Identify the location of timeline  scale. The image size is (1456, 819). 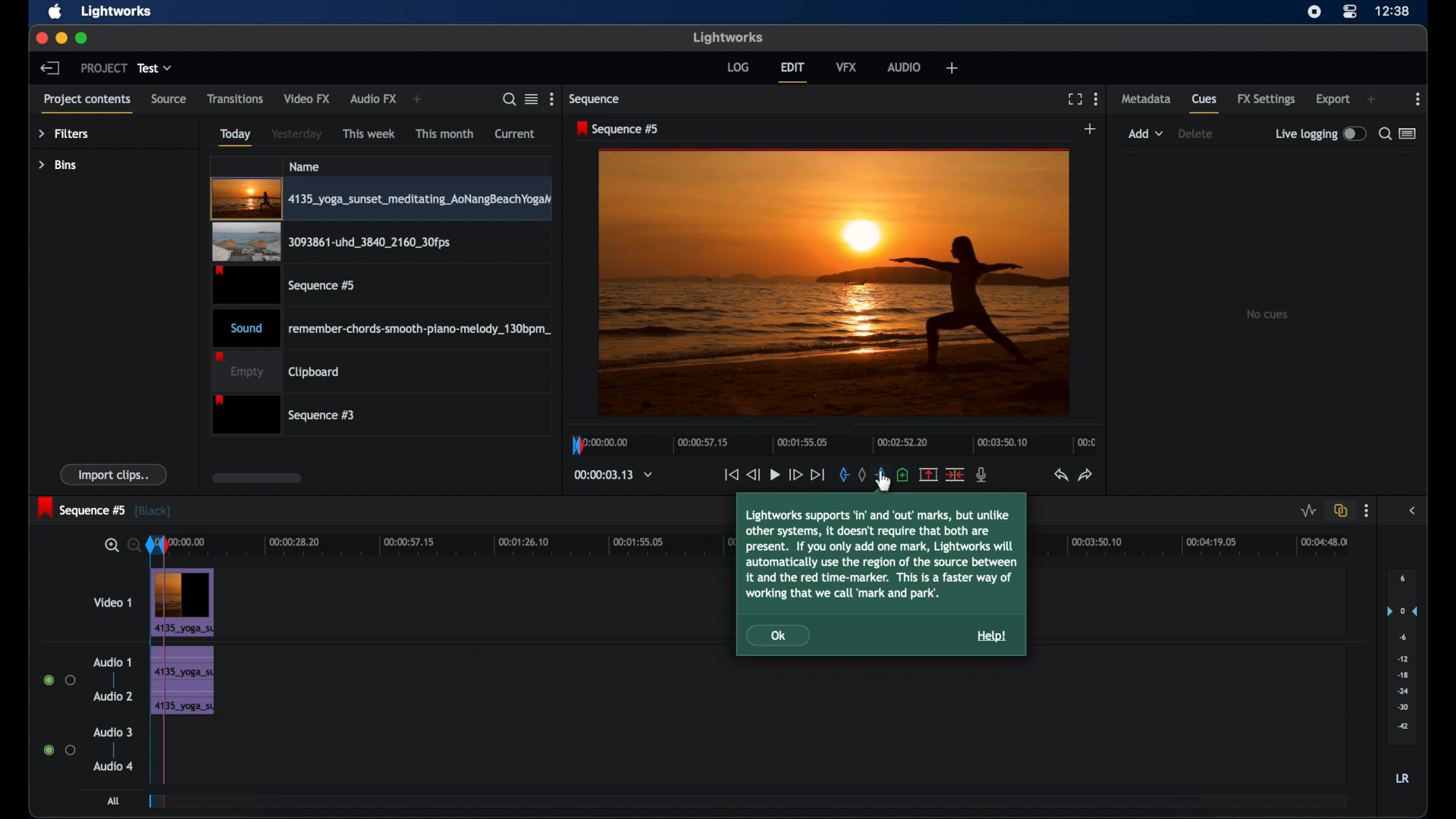
(833, 443).